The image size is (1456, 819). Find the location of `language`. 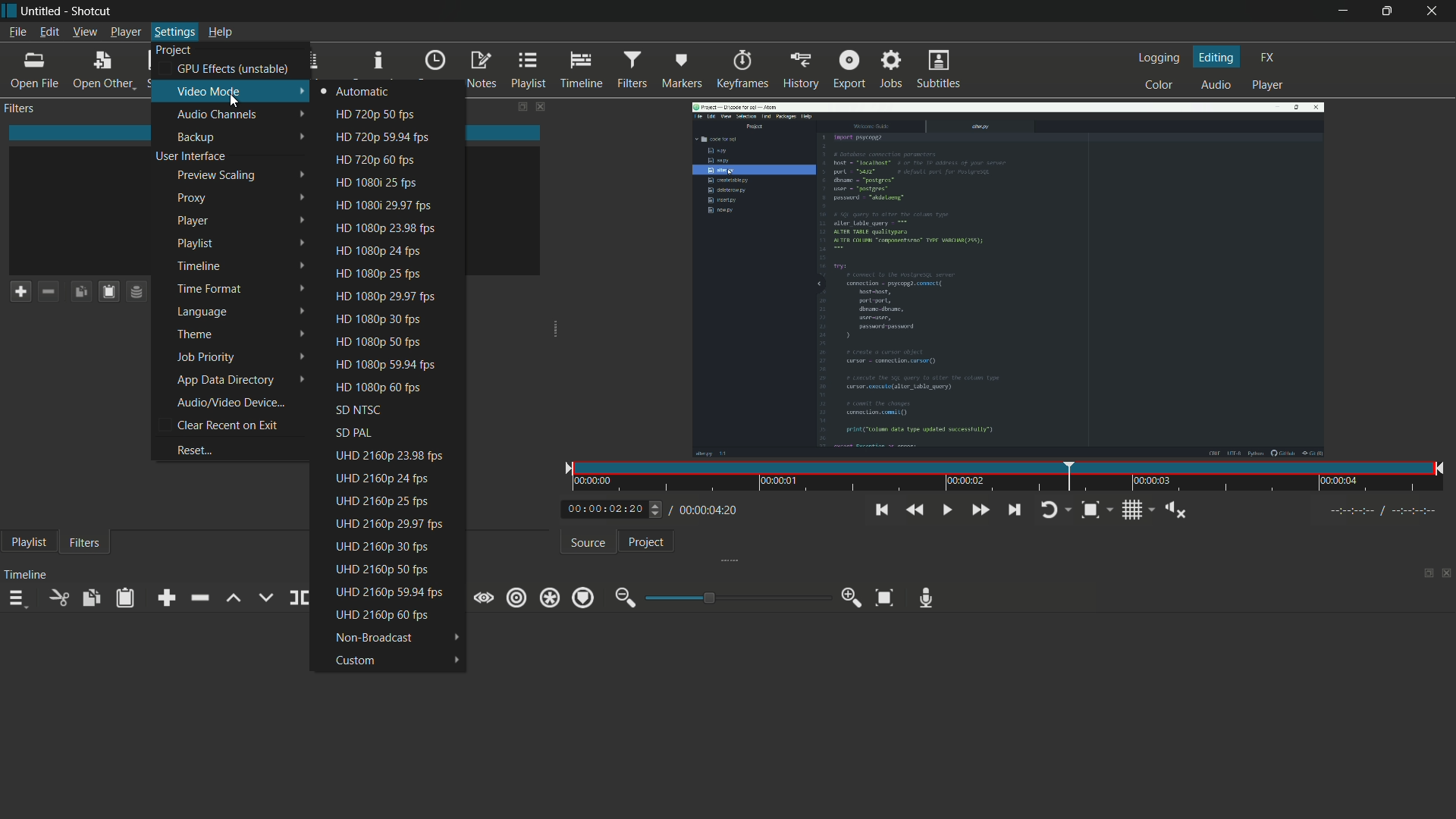

language is located at coordinates (242, 312).